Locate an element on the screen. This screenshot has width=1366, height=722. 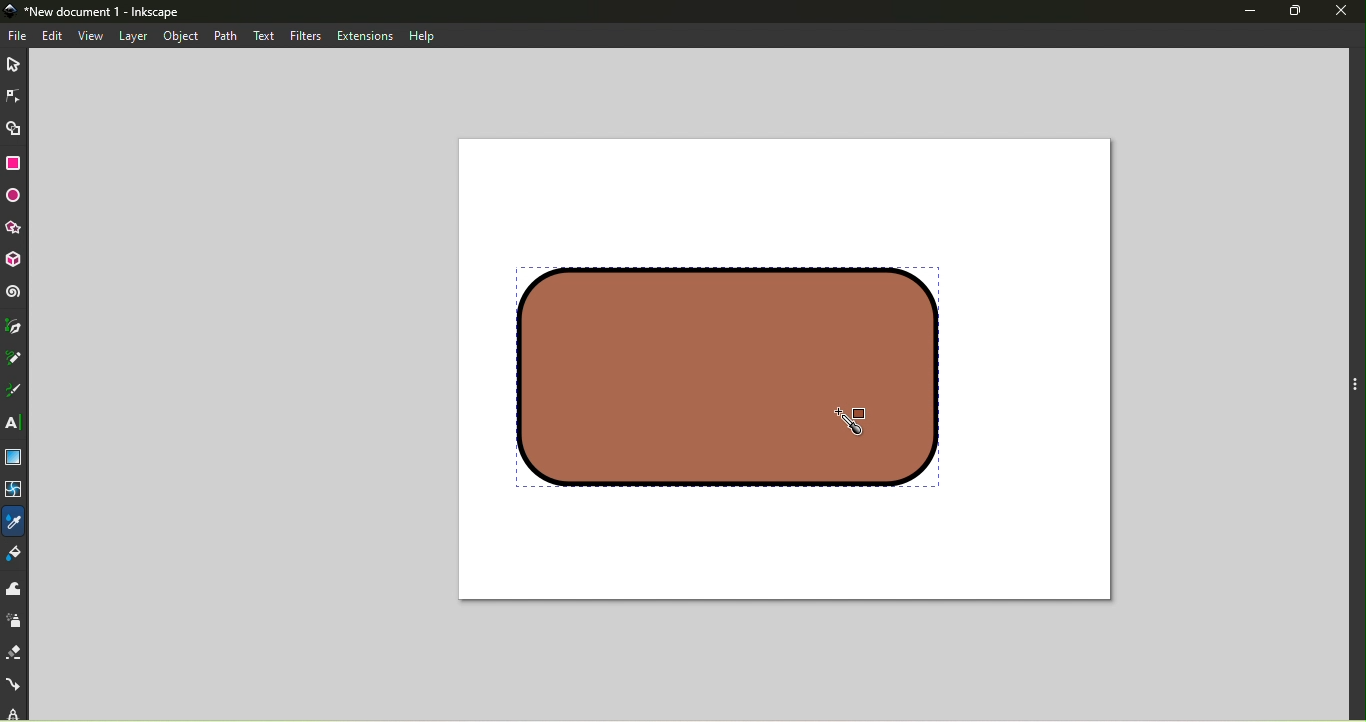
text is located at coordinates (262, 34).